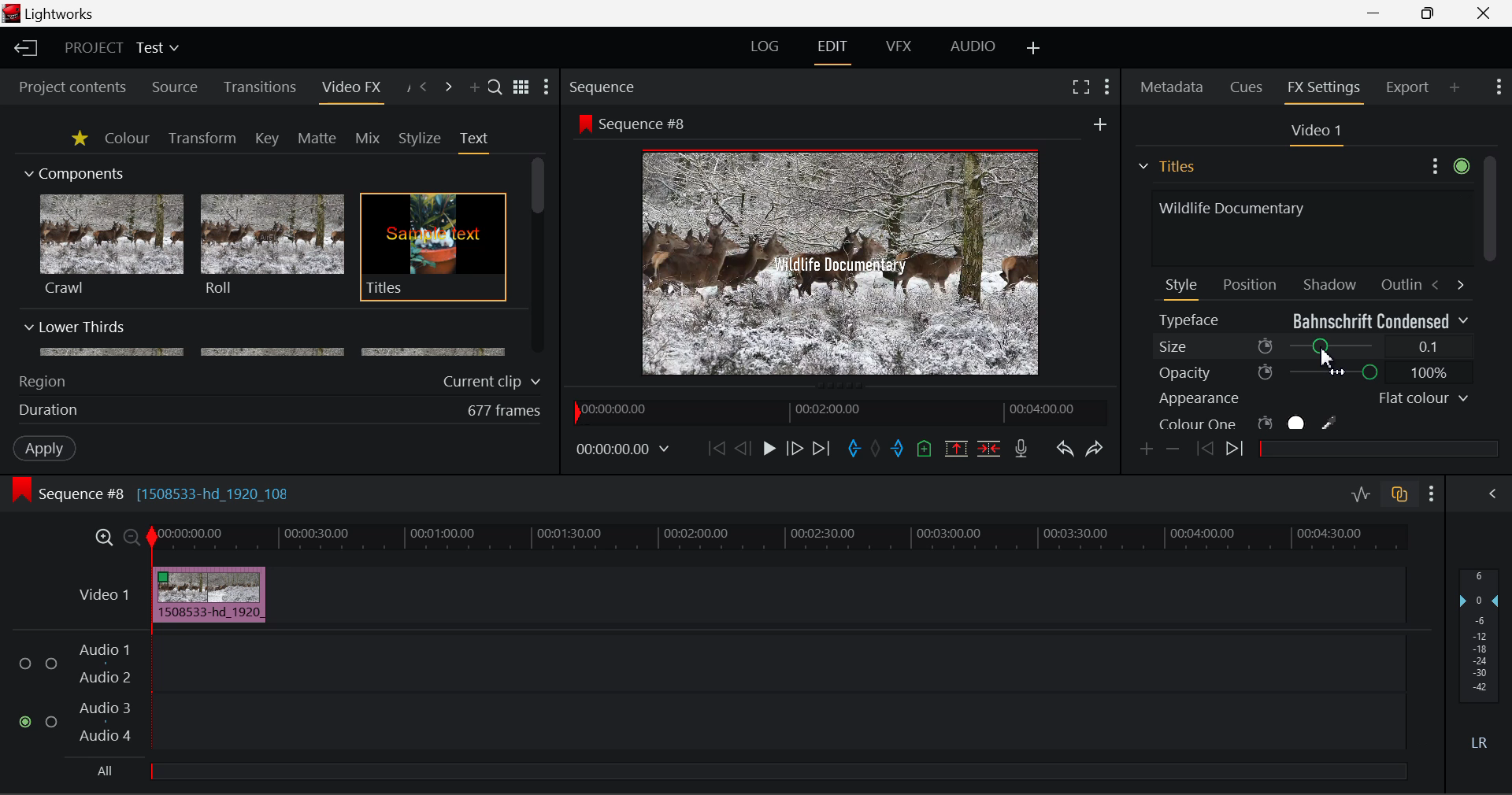 The image size is (1512, 795). What do you see at coordinates (61, 13) in the screenshot?
I see `Lightworks` at bounding box center [61, 13].